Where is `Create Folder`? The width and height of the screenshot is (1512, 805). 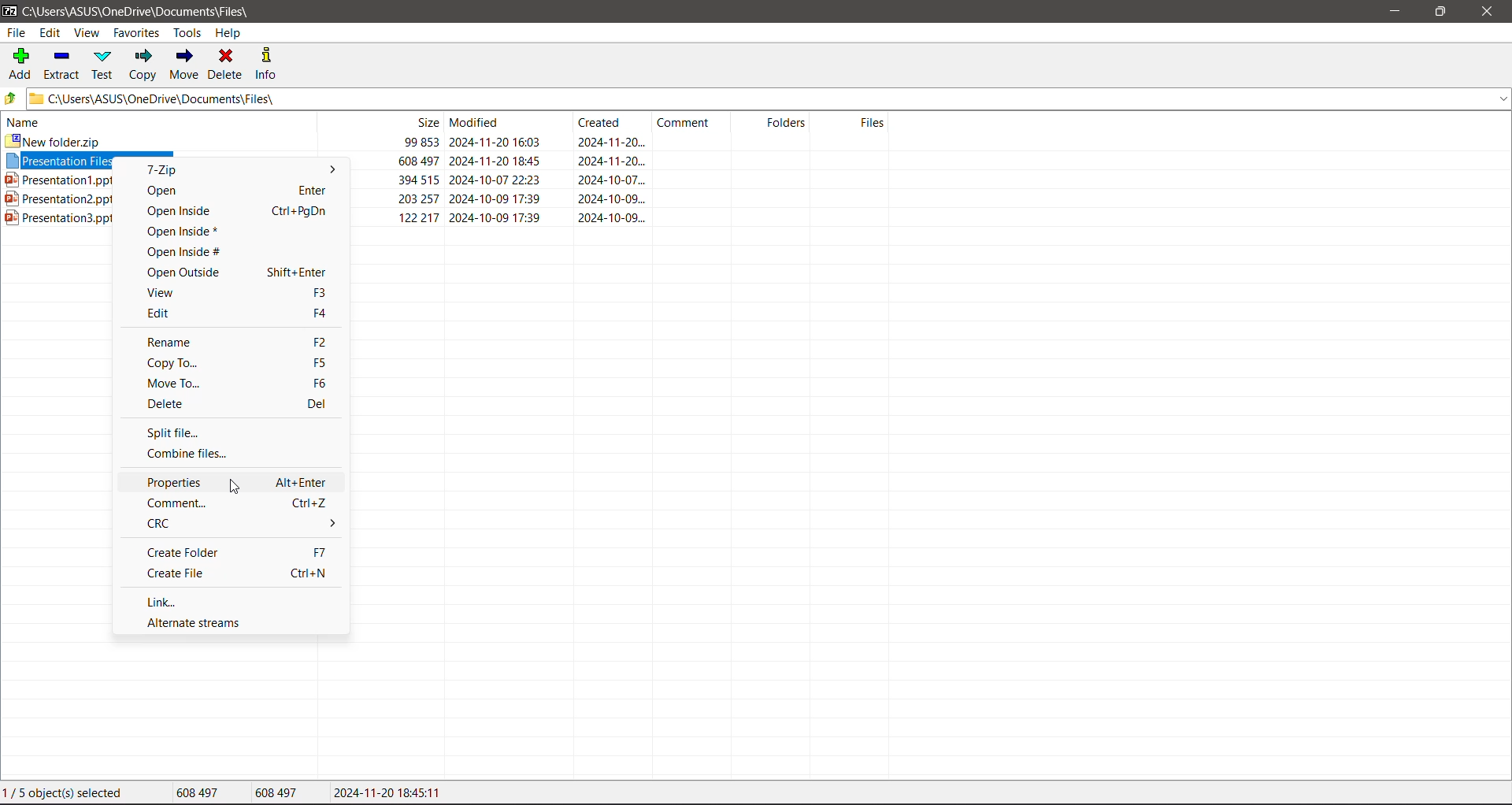
Create Folder is located at coordinates (239, 552).